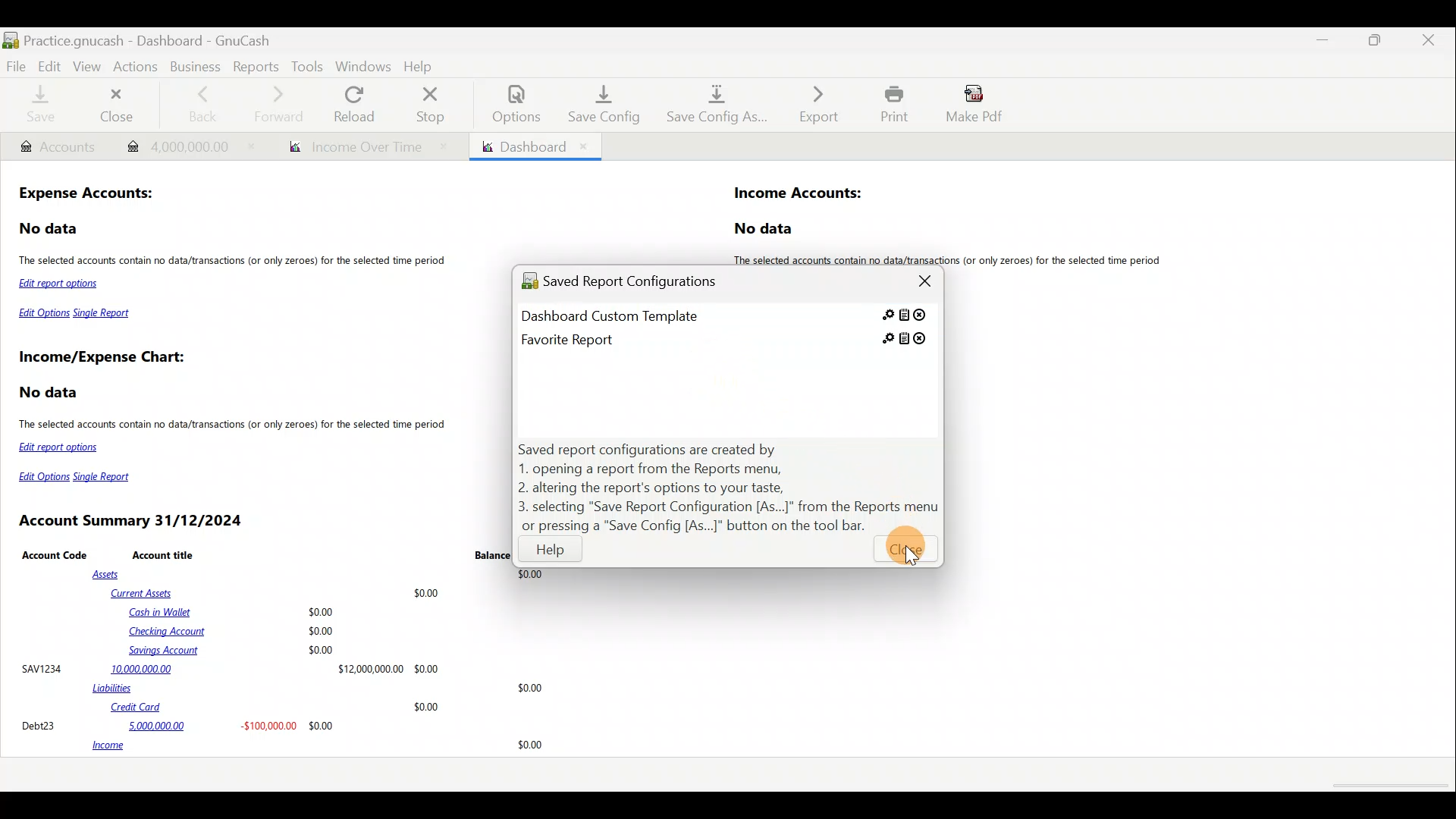 The height and width of the screenshot is (819, 1456). What do you see at coordinates (62, 285) in the screenshot?
I see `Edit report options` at bounding box center [62, 285].